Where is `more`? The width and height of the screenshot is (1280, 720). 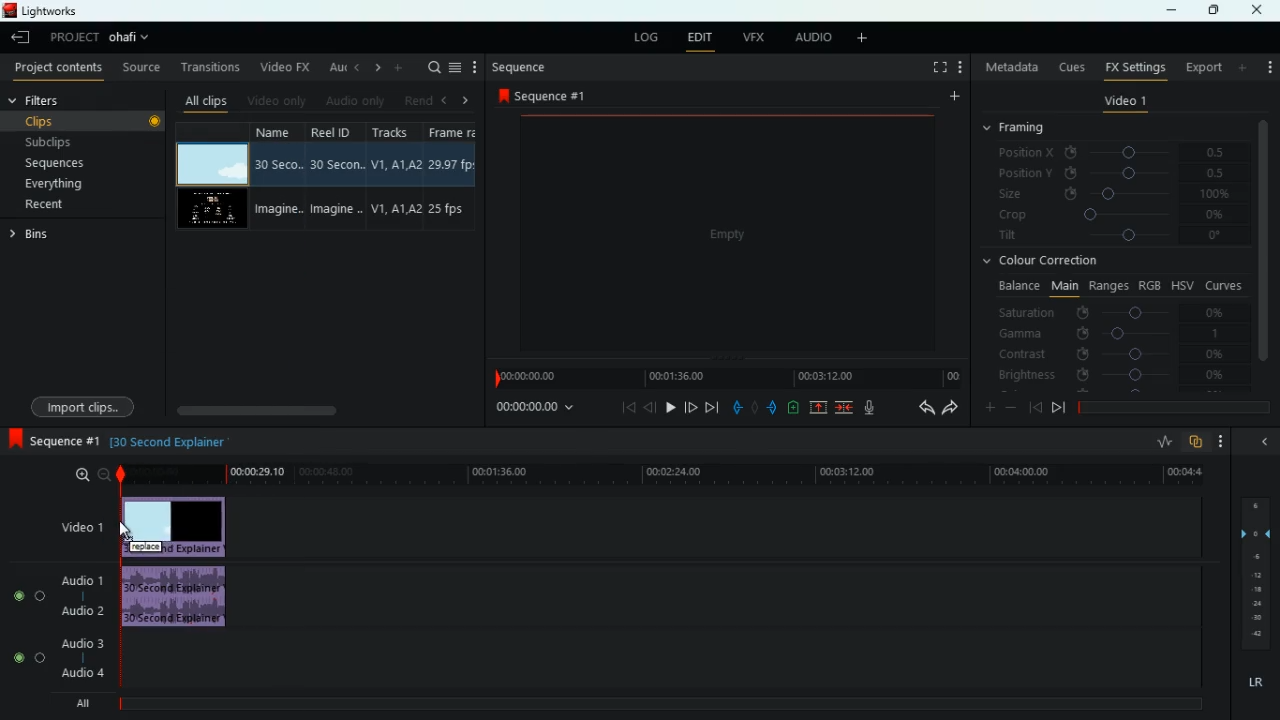
more is located at coordinates (960, 67).